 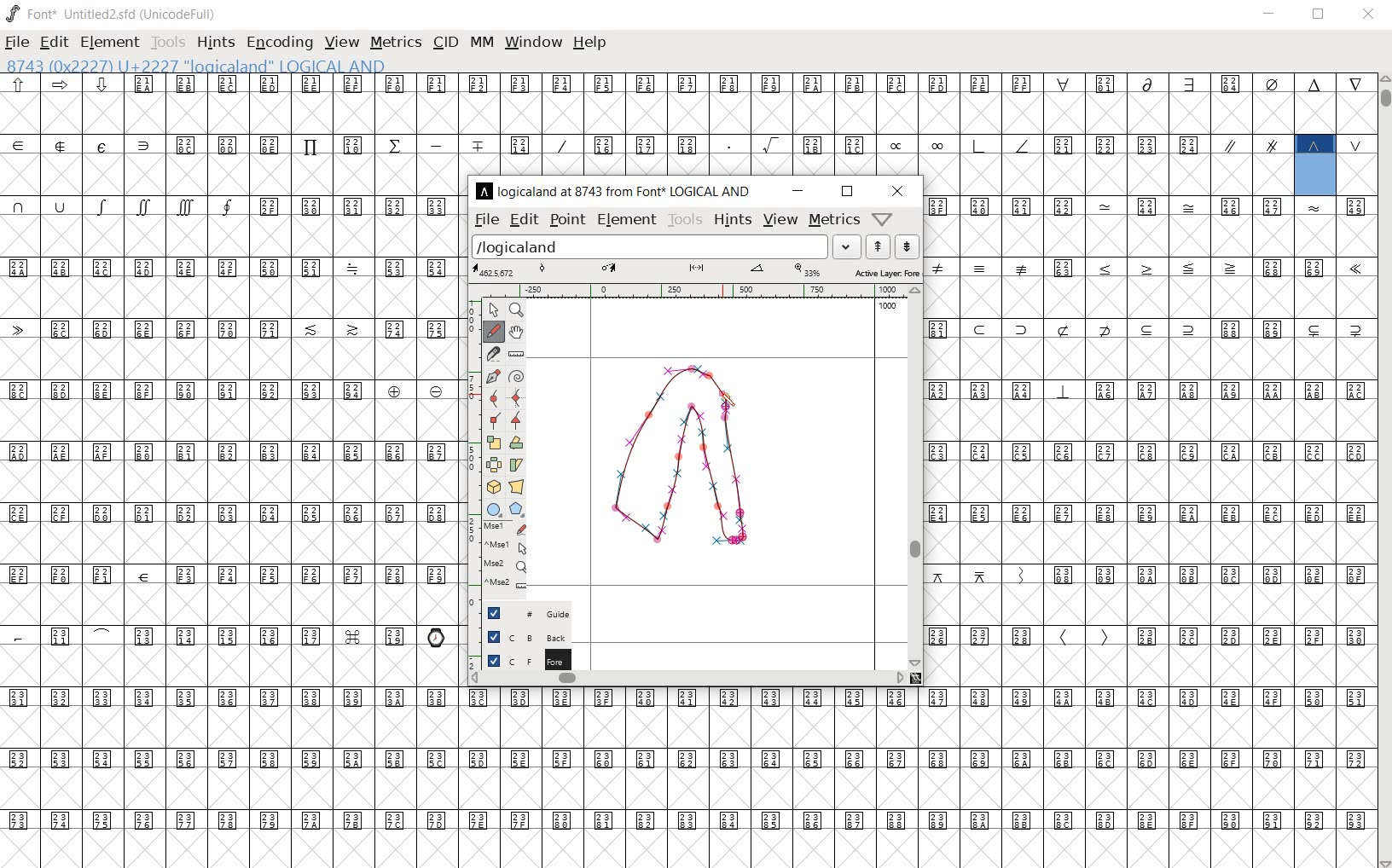 What do you see at coordinates (109, 43) in the screenshot?
I see `element` at bounding box center [109, 43].